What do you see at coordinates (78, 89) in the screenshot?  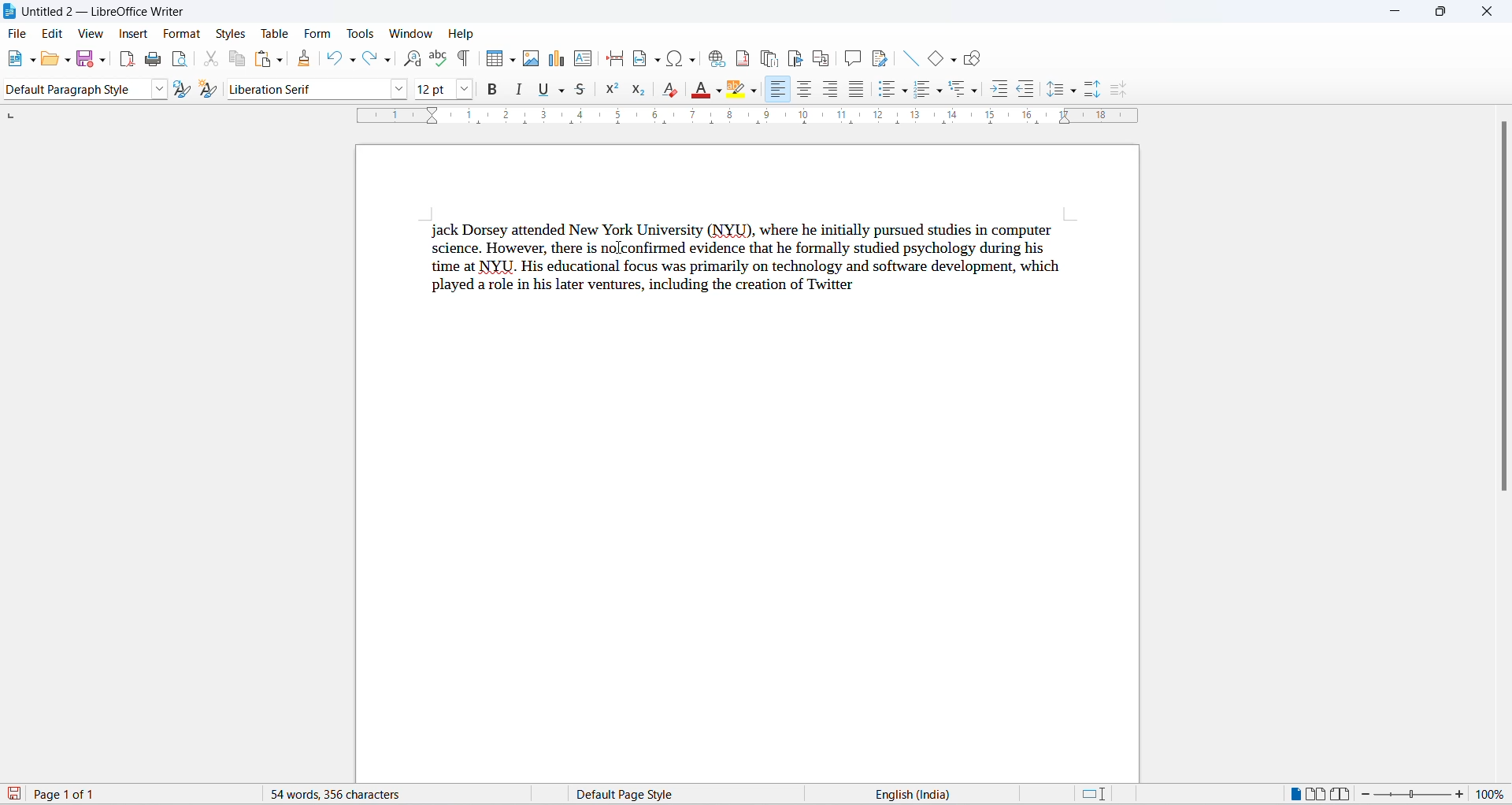 I see `paragraph style` at bounding box center [78, 89].